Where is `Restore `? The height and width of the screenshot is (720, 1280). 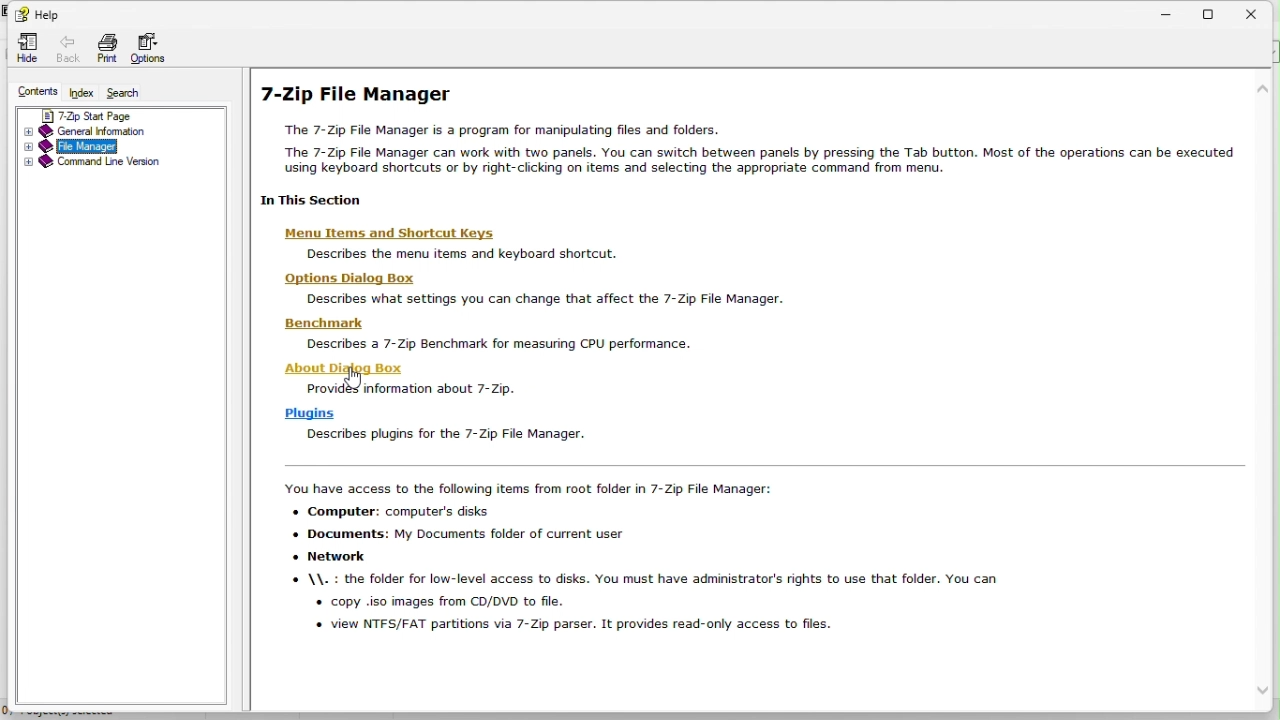
Restore  is located at coordinates (1211, 12).